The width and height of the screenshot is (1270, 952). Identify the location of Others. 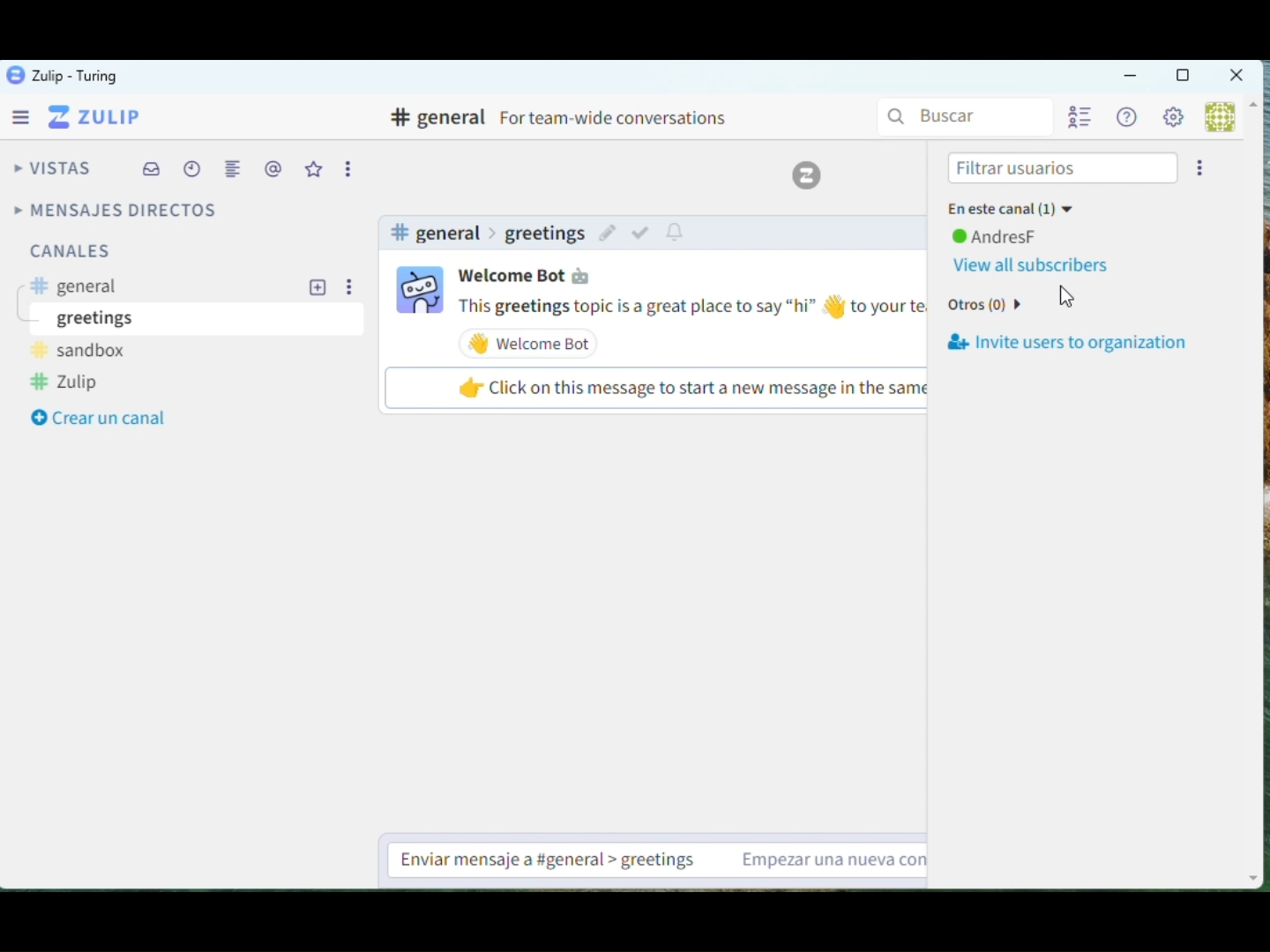
(975, 305).